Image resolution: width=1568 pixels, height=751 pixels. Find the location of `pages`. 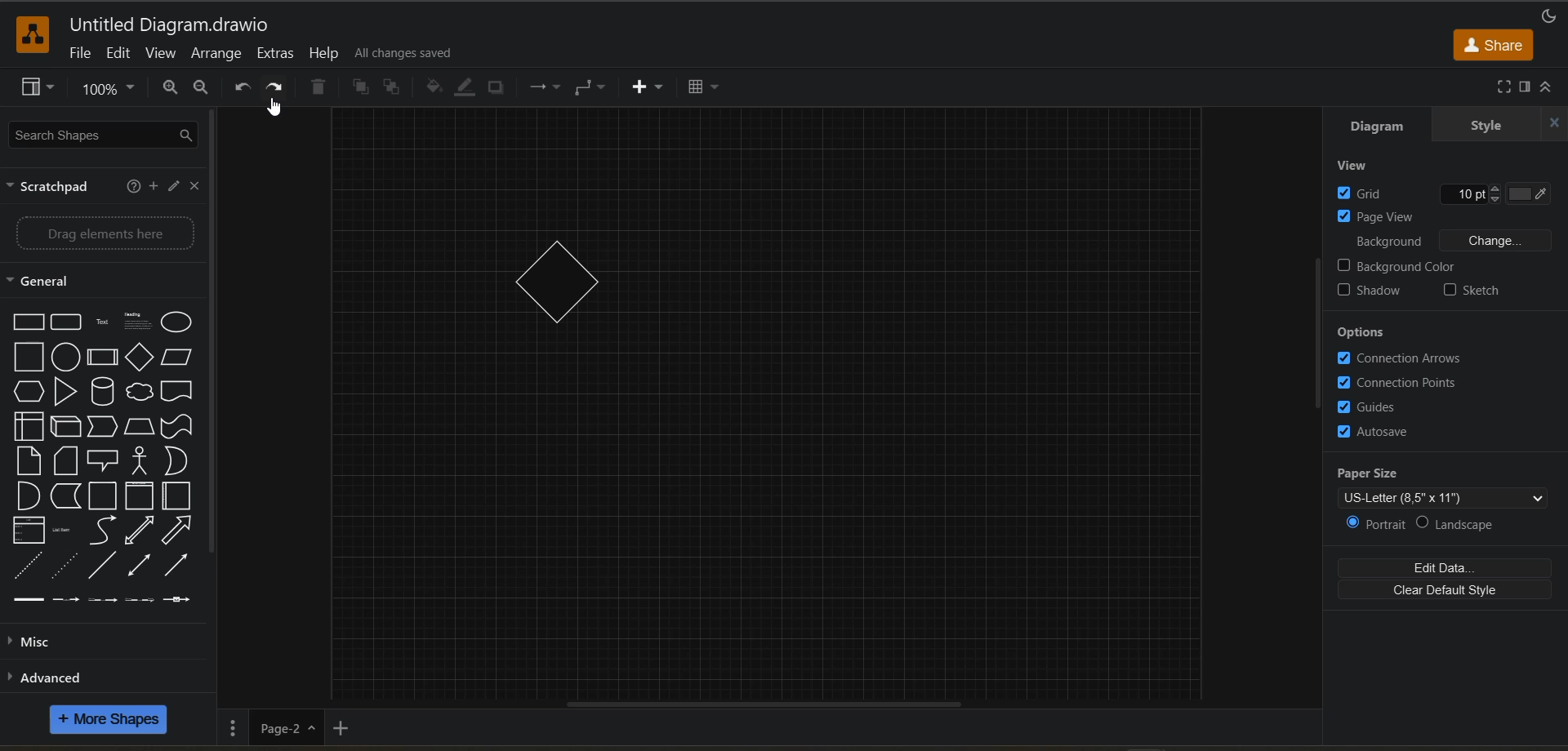

pages is located at coordinates (229, 726).